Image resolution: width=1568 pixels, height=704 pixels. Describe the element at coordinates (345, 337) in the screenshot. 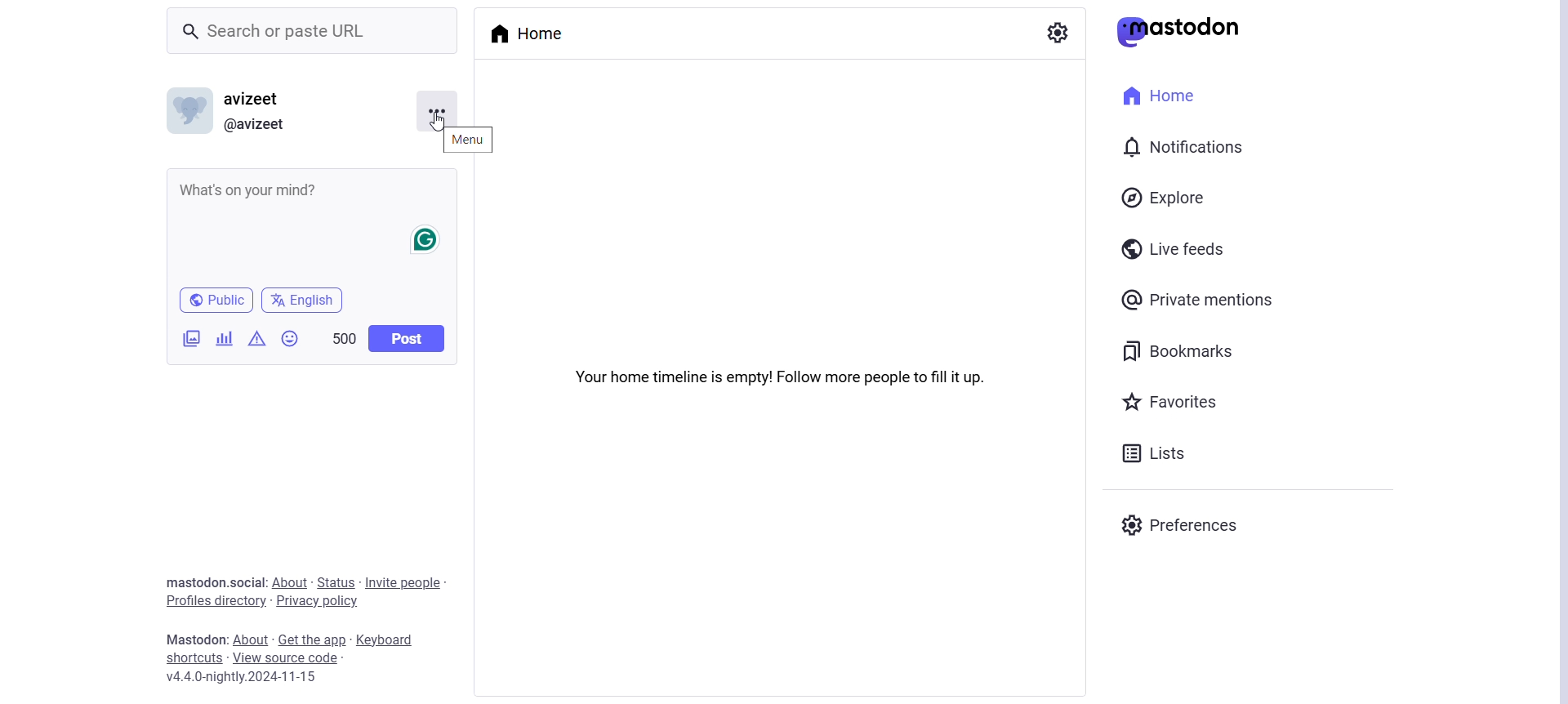

I see `500` at that location.